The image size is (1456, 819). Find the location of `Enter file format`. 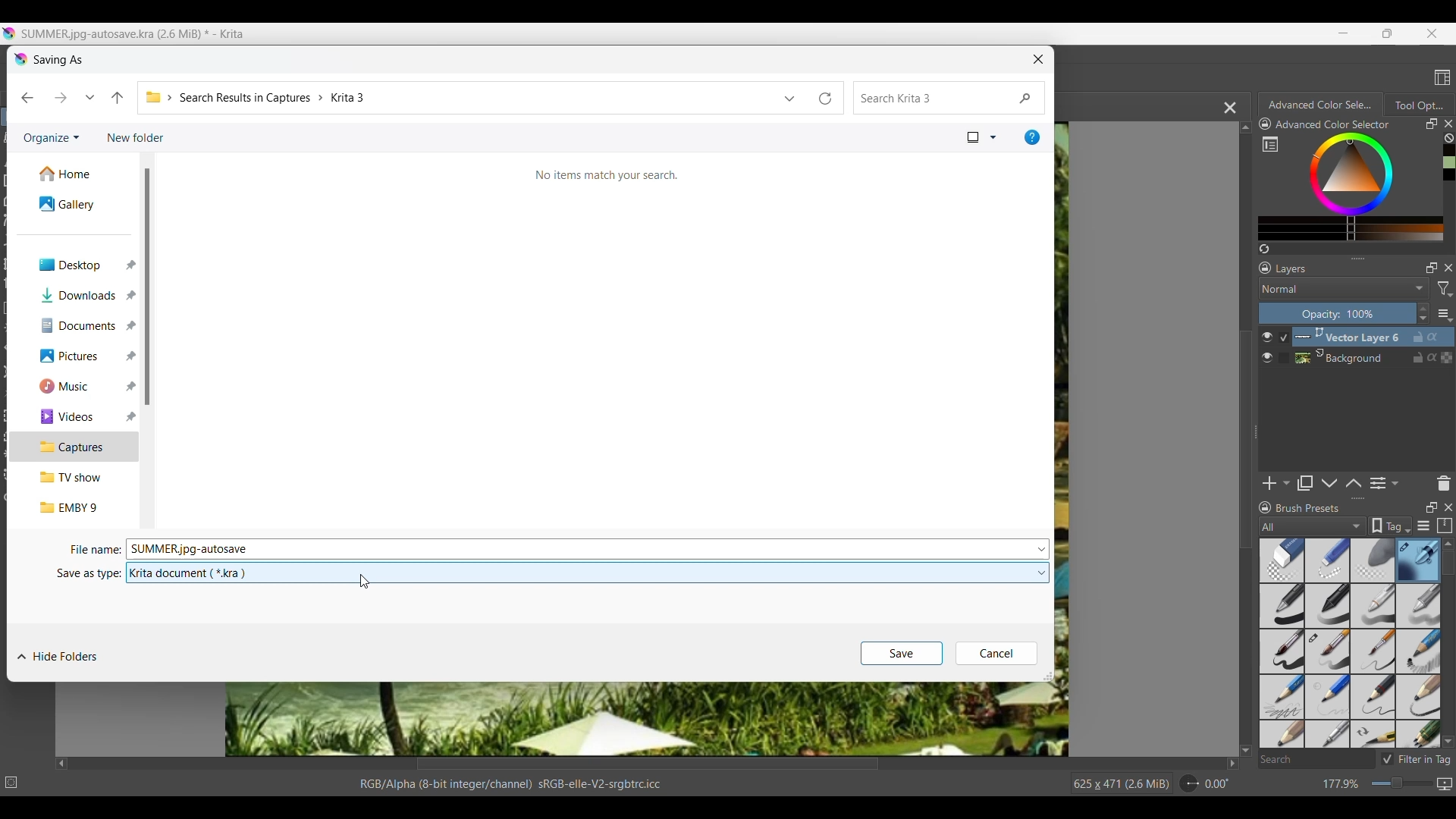

Enter file format is located at coordinates (578, 573).